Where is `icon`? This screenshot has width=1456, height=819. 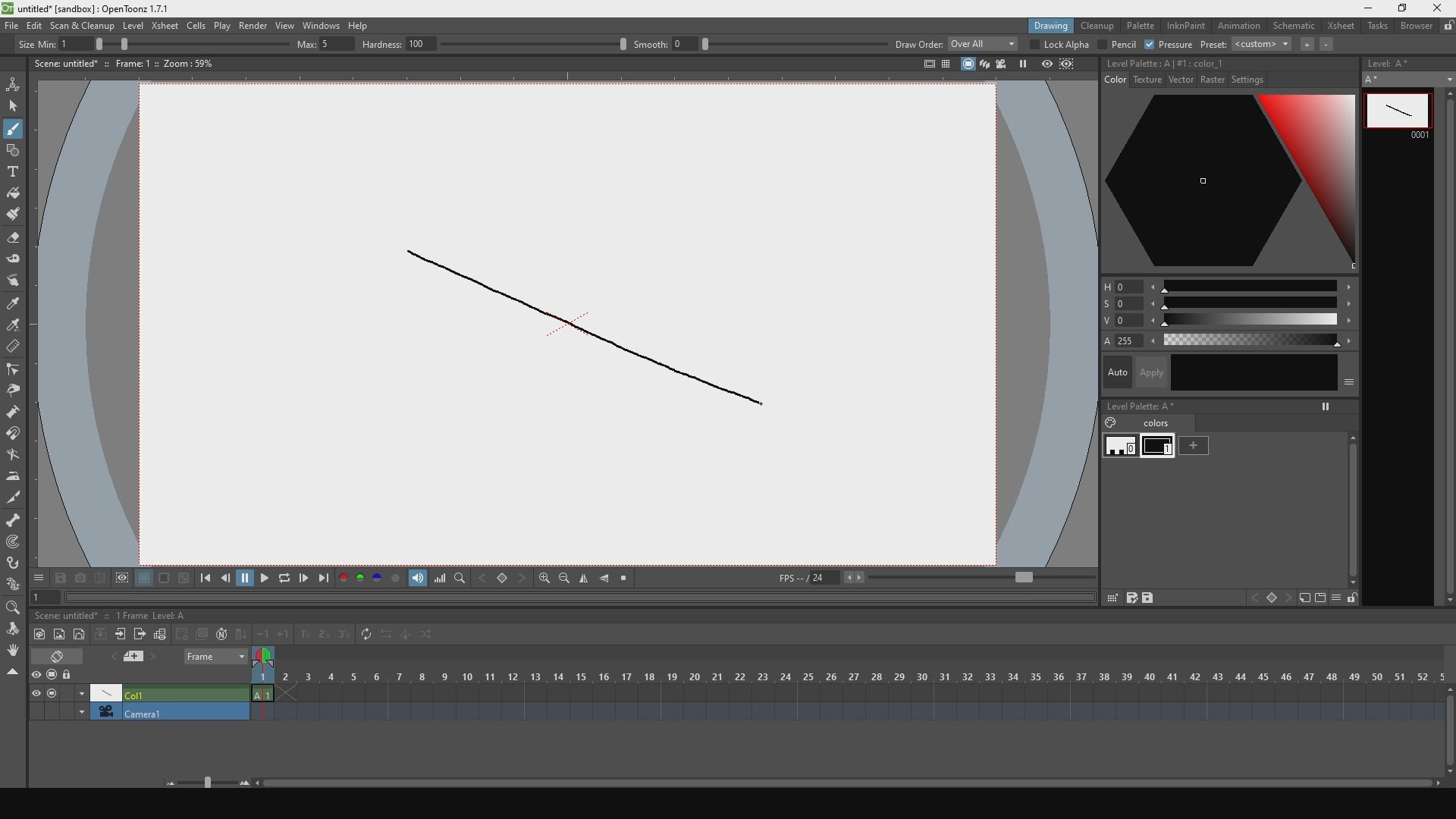
icon is located at coordinates (1269, 597).